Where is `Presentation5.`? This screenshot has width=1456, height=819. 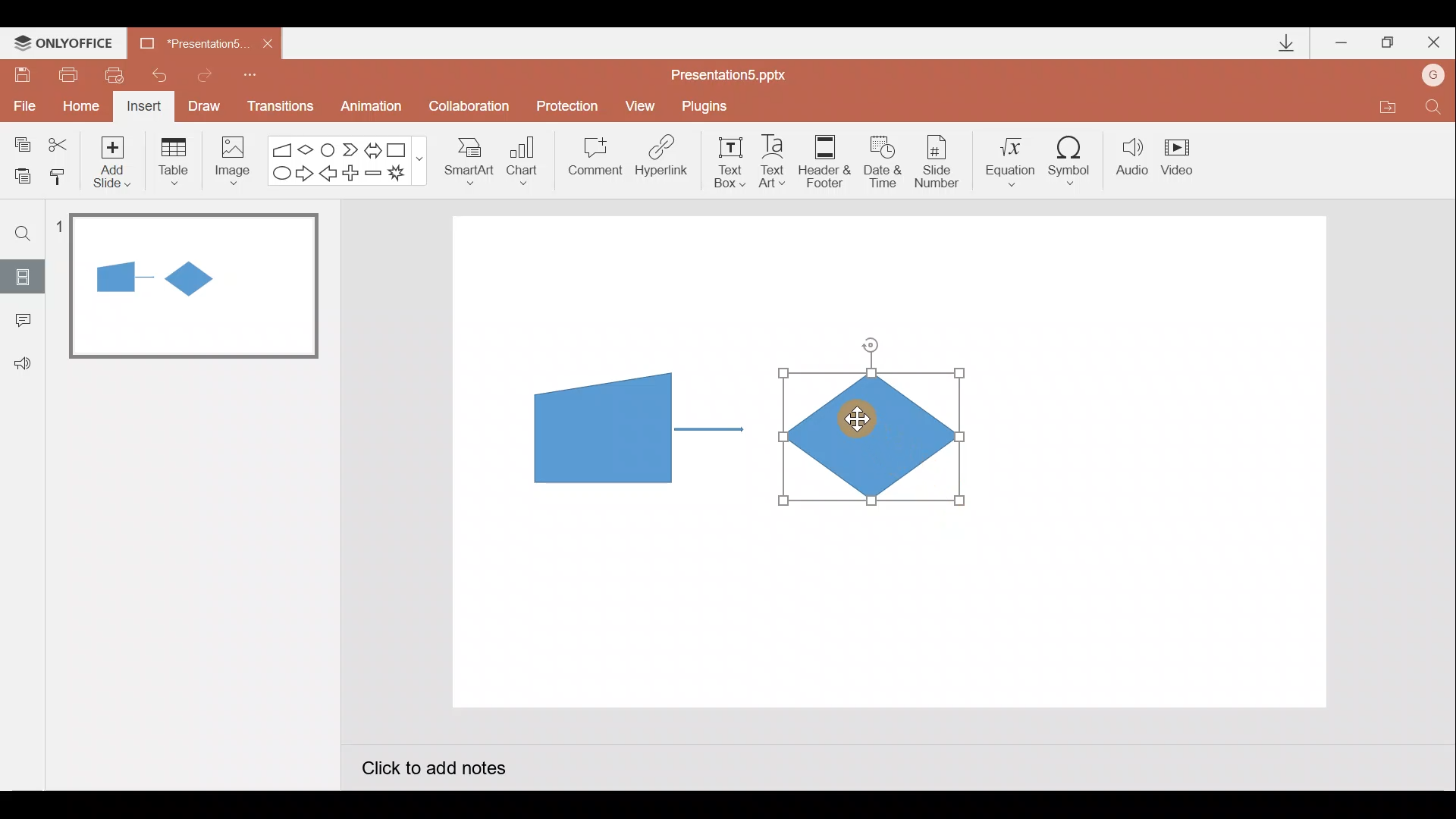
Presentation5. is located at coordinates (187, 41).